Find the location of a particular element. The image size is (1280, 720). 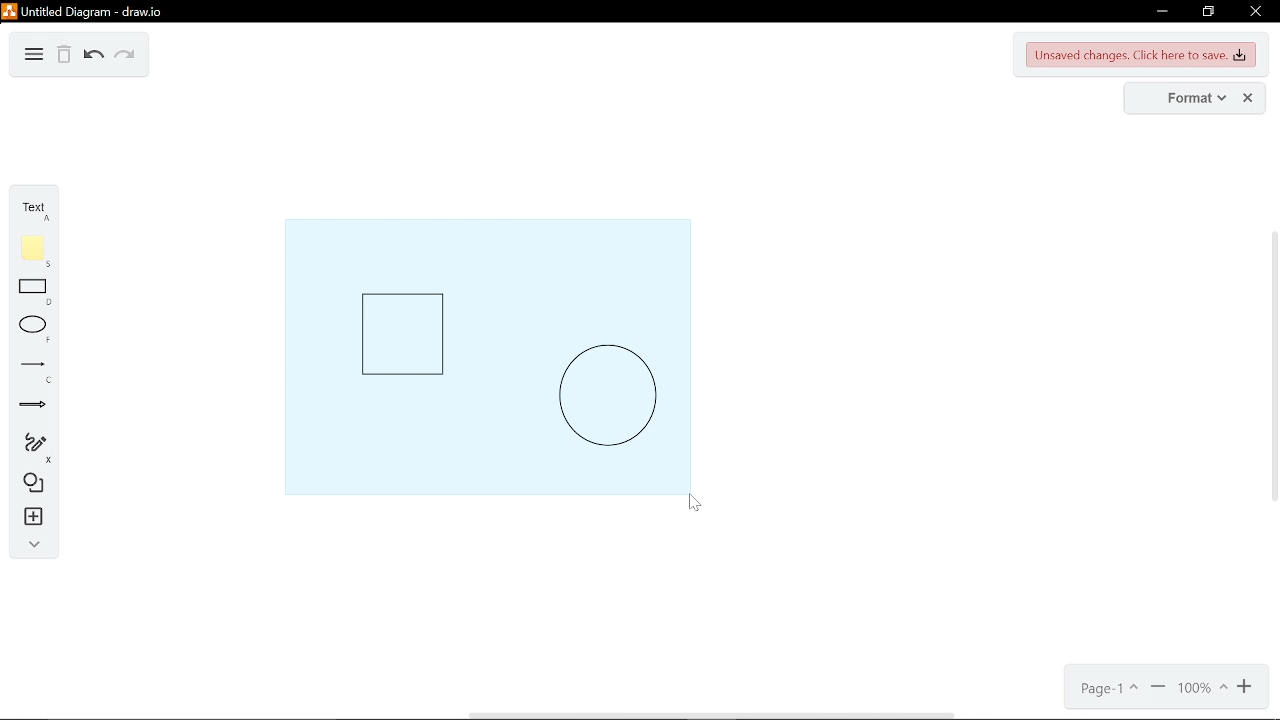

text is located at coordinates (33, 209).